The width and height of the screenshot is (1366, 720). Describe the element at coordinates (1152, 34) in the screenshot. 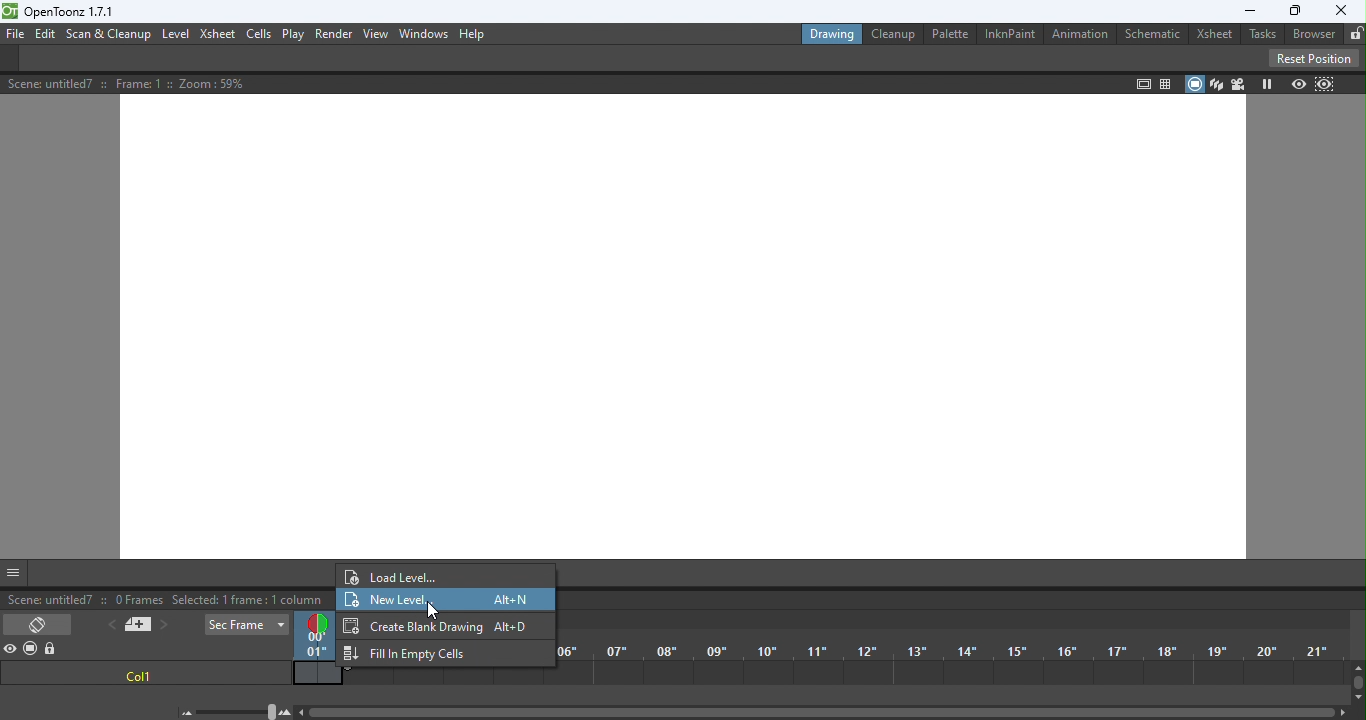

I see `Schematic` at that location.